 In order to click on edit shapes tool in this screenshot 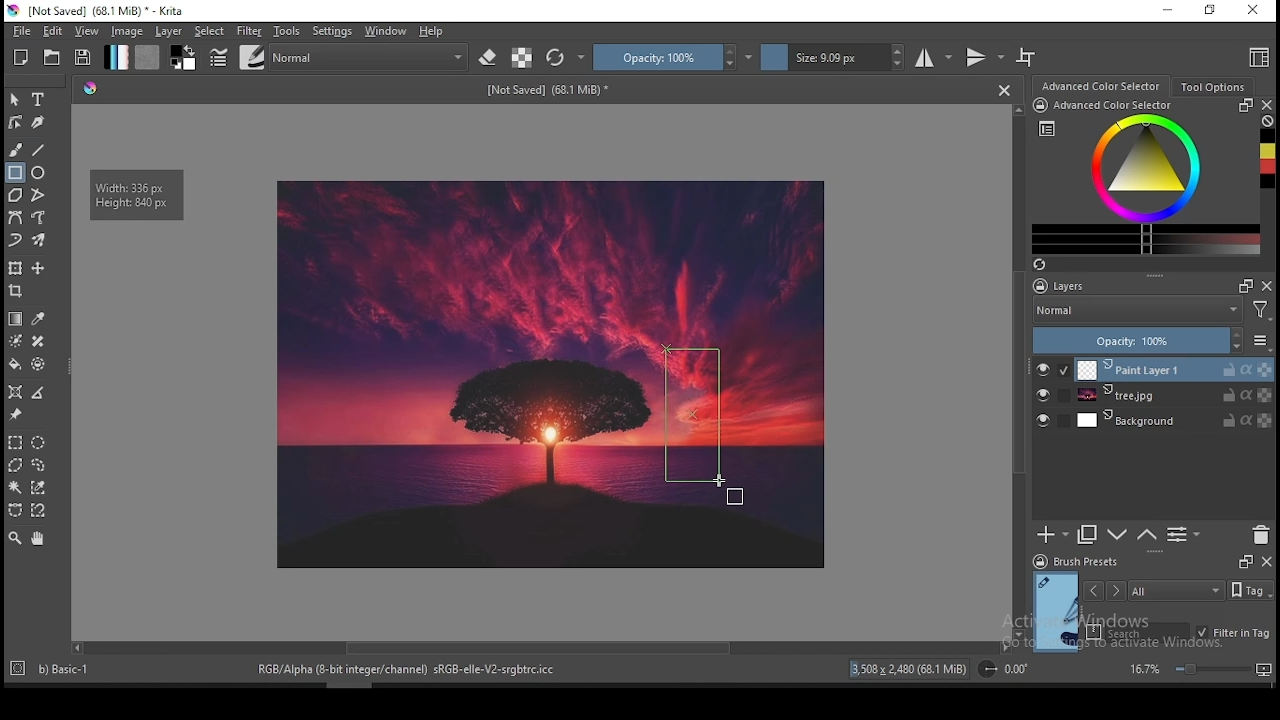, I will do `click(16, 121)`.